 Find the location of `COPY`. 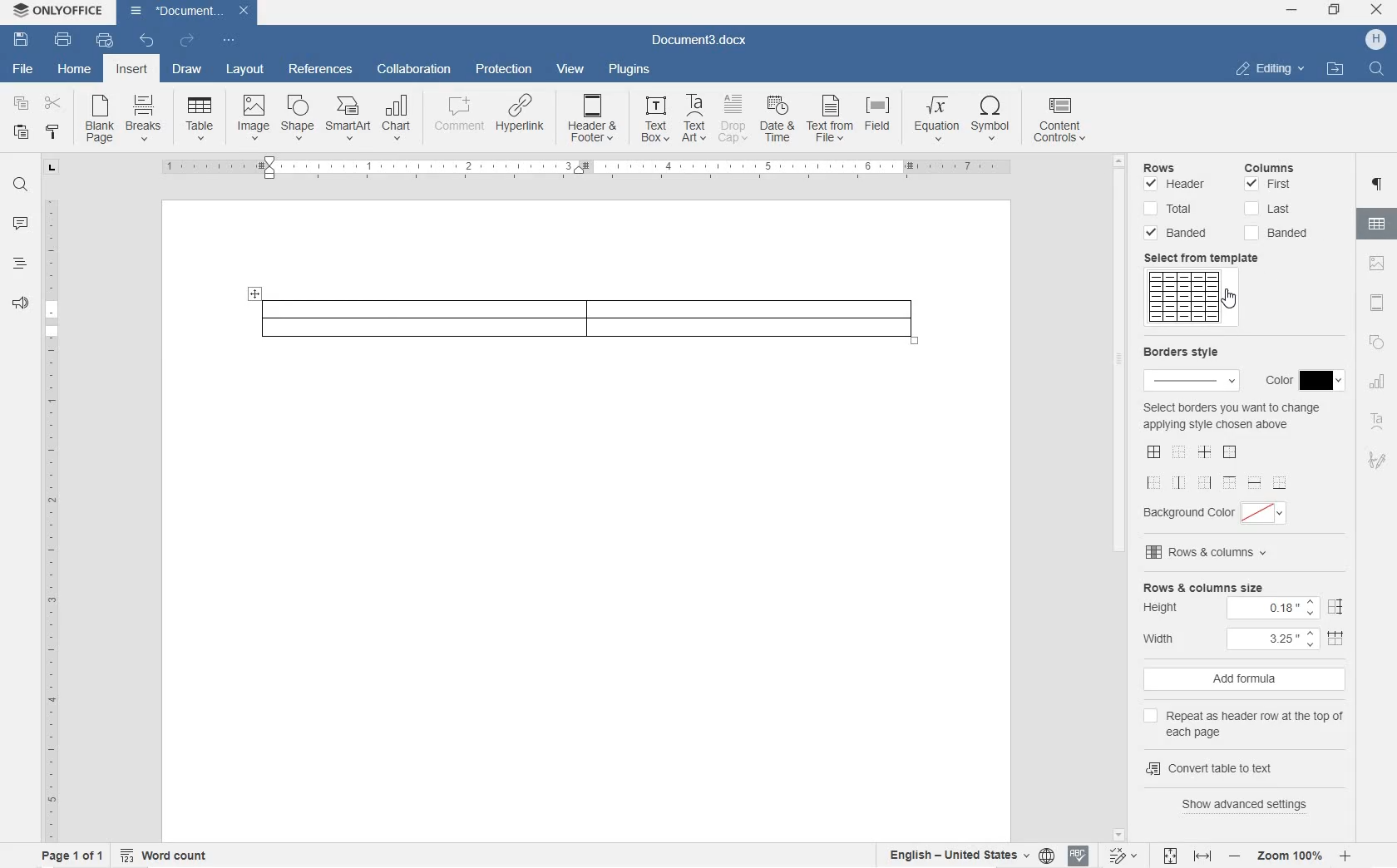

COPY is located at coordinates (19, 103).